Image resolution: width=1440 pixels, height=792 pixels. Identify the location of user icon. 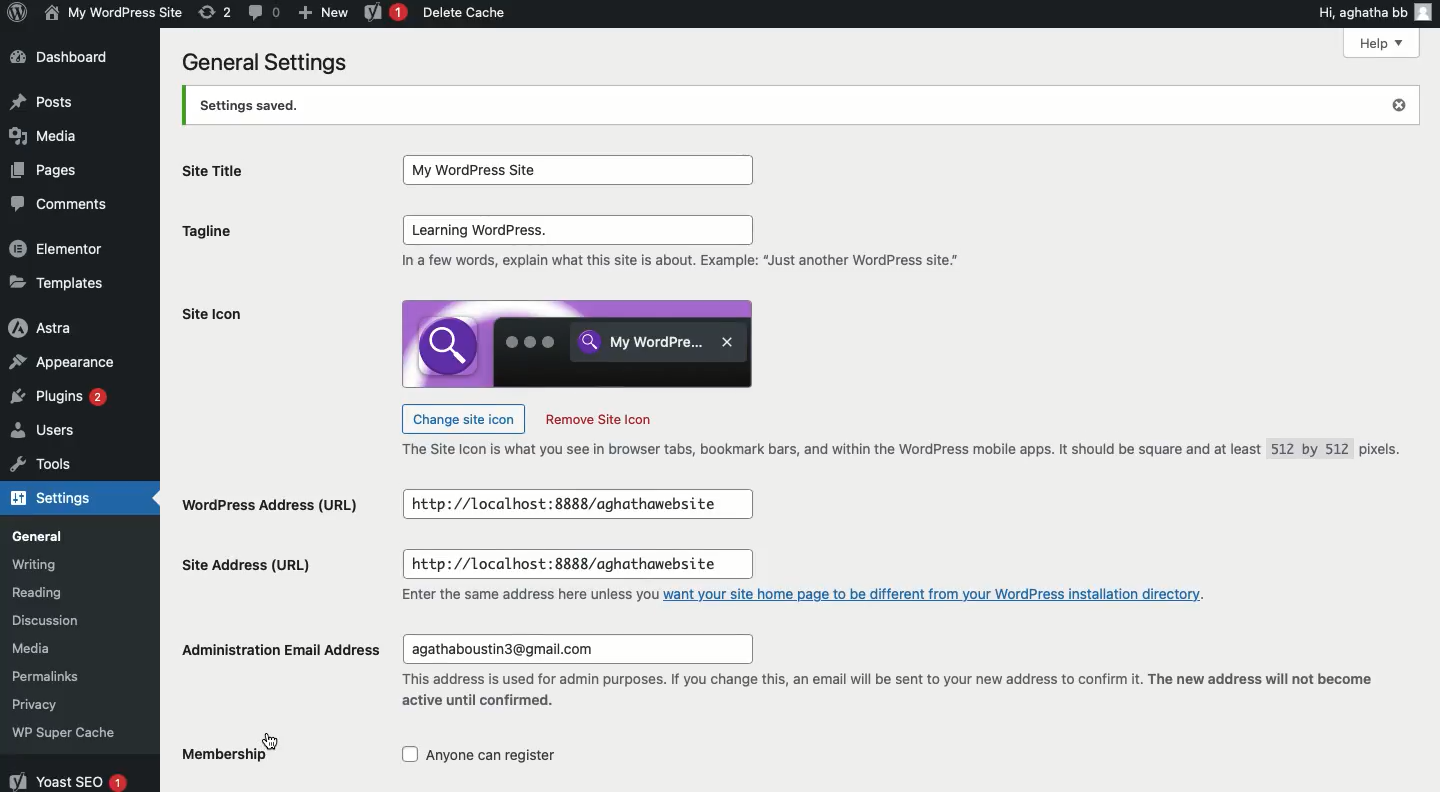
(1428, 11).